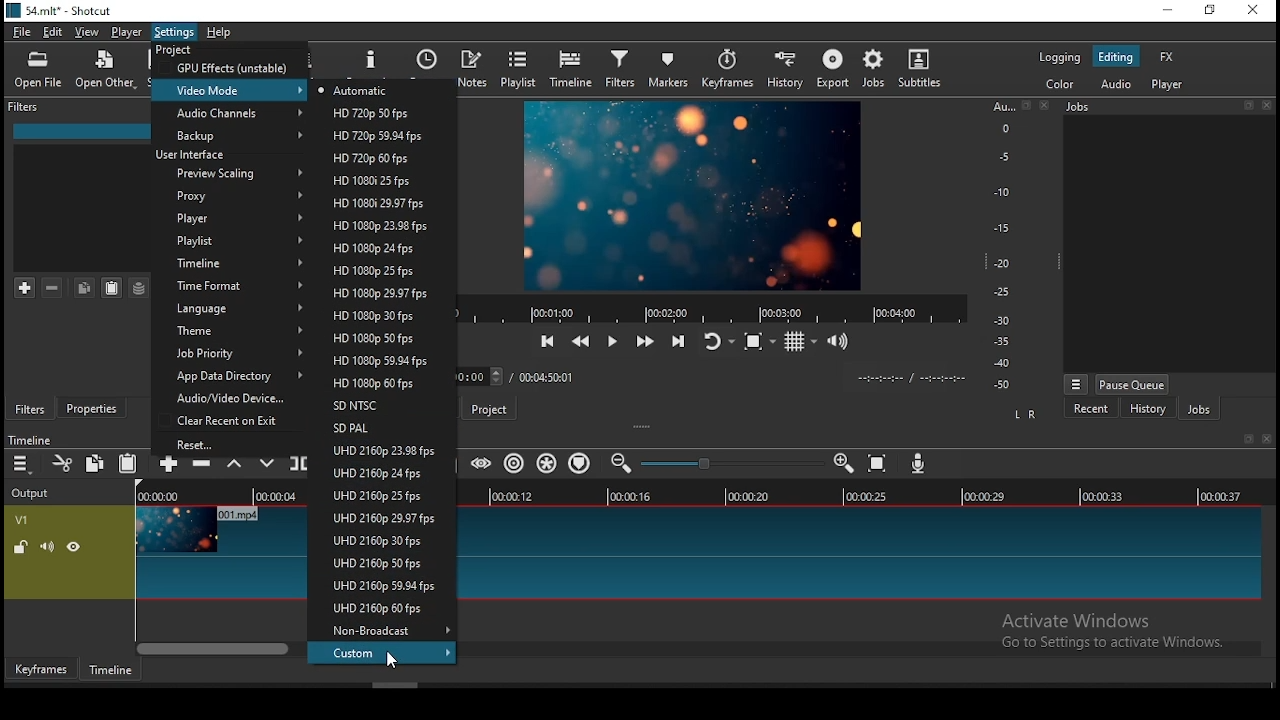 The image size is (1280, 720). What do you see at coordinates (41, 670) in the screenshot?
I see `keyframe` at bounding box center [41, 670].